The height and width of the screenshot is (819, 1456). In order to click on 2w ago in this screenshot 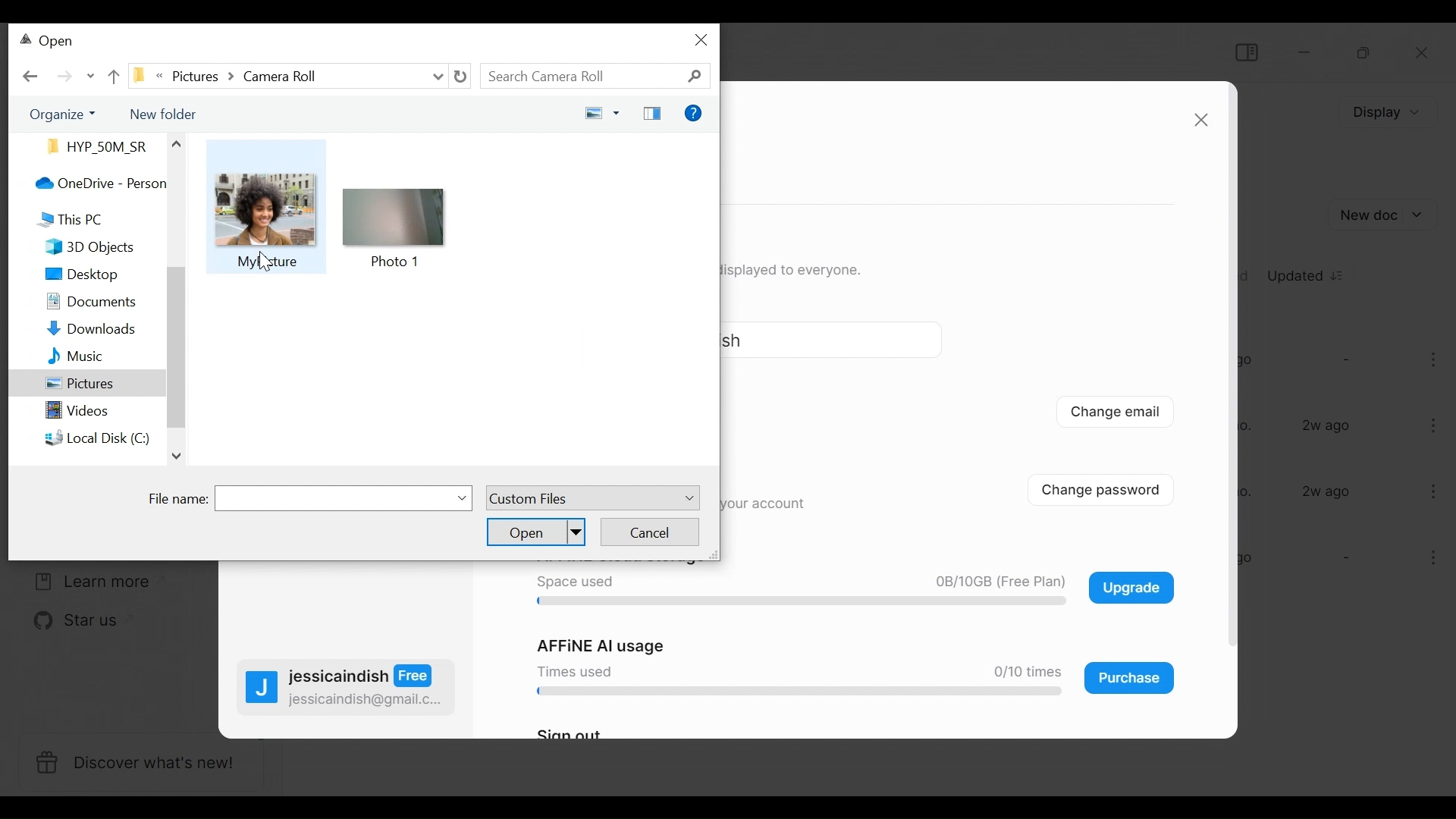, I will do `click(1329, 426)`.